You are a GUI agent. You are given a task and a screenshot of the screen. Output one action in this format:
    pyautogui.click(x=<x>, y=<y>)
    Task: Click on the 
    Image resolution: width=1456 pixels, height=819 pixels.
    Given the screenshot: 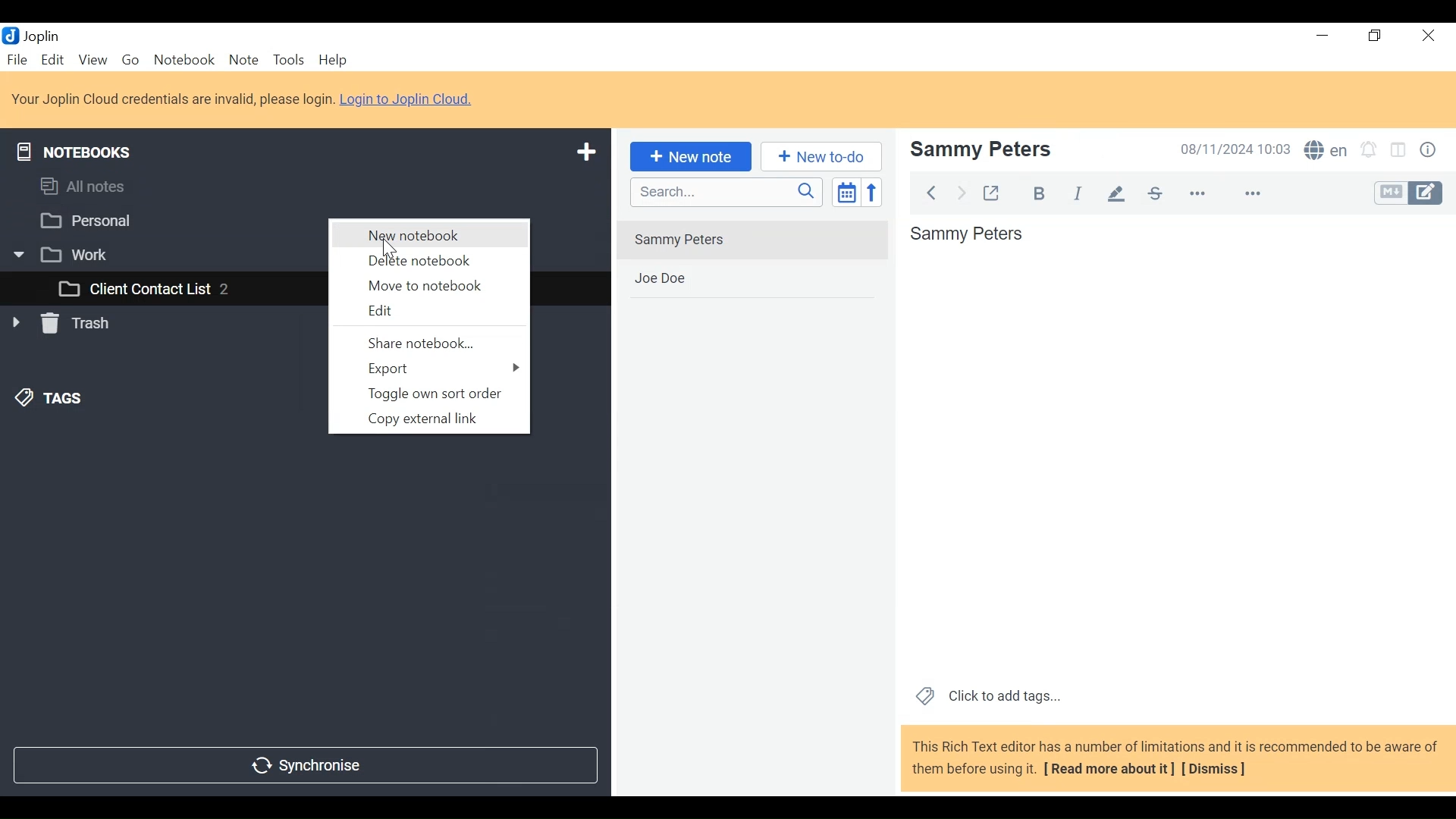 What is the action you would take?
    pyautogui.click(x=54, y=60)
    